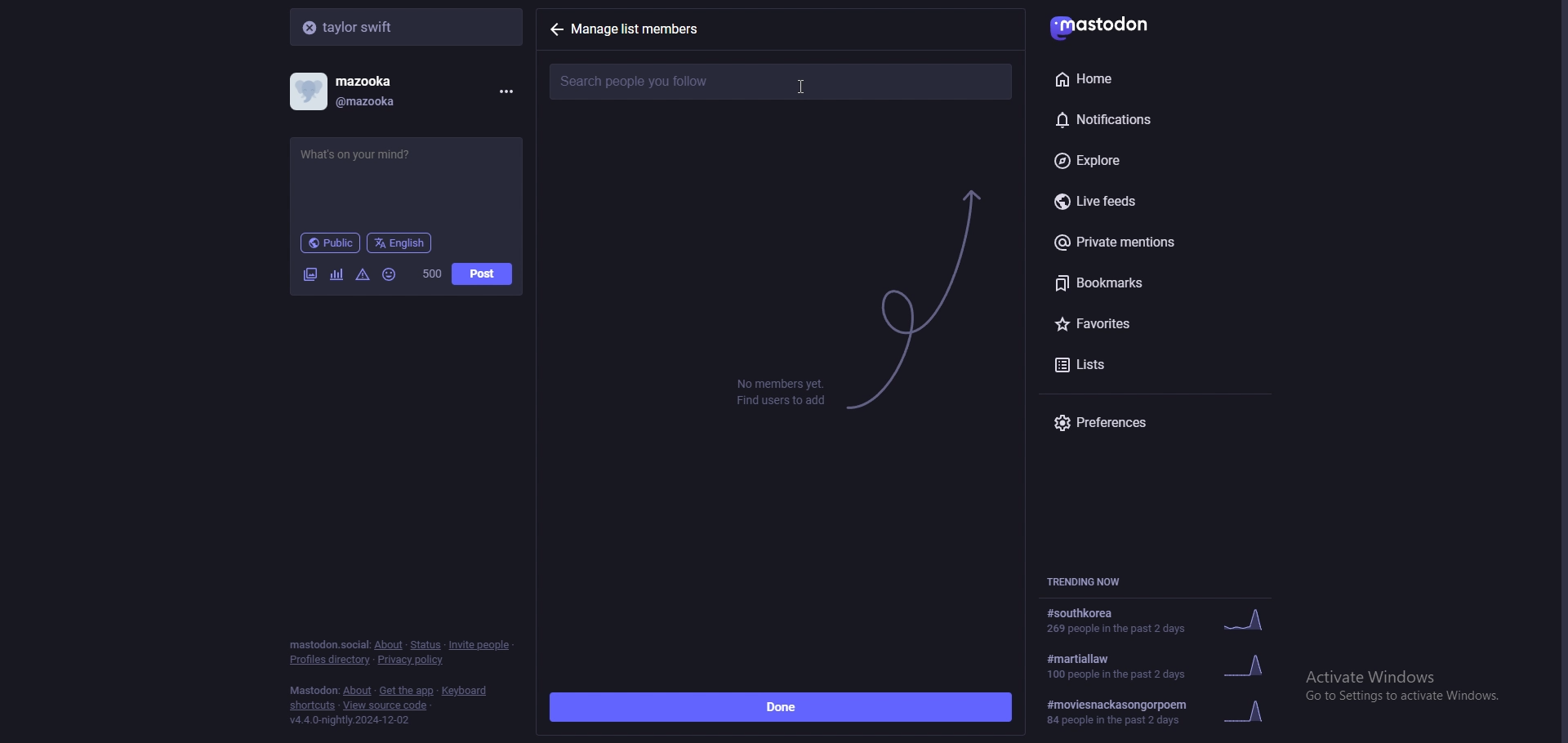  What do you see at coordinates (310, 274) in the screenshot?
I see `image` at bounding box center [310, 274].